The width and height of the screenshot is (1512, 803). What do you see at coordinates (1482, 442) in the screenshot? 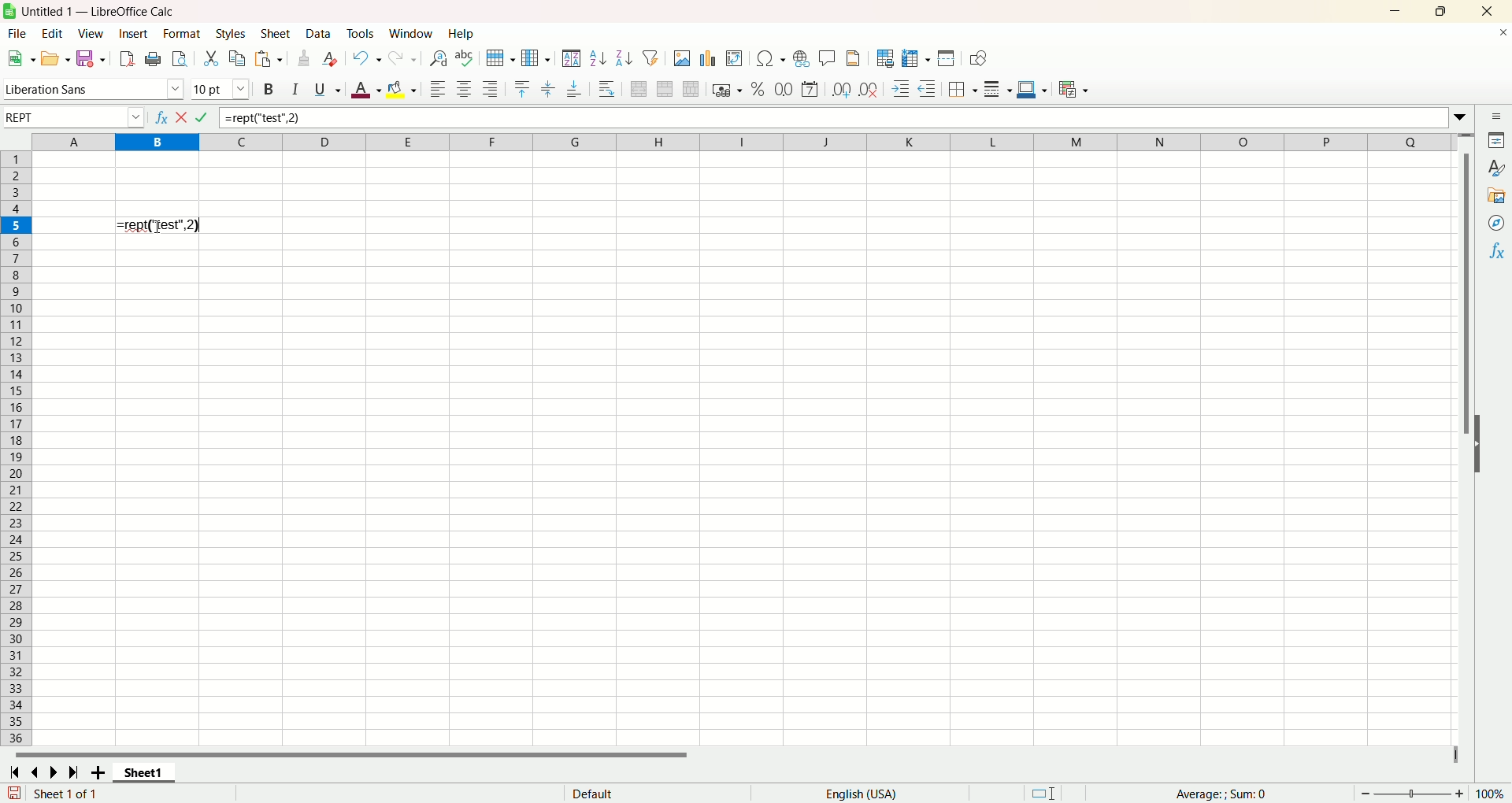
I see `hide` at bounding box center [1482, 442].